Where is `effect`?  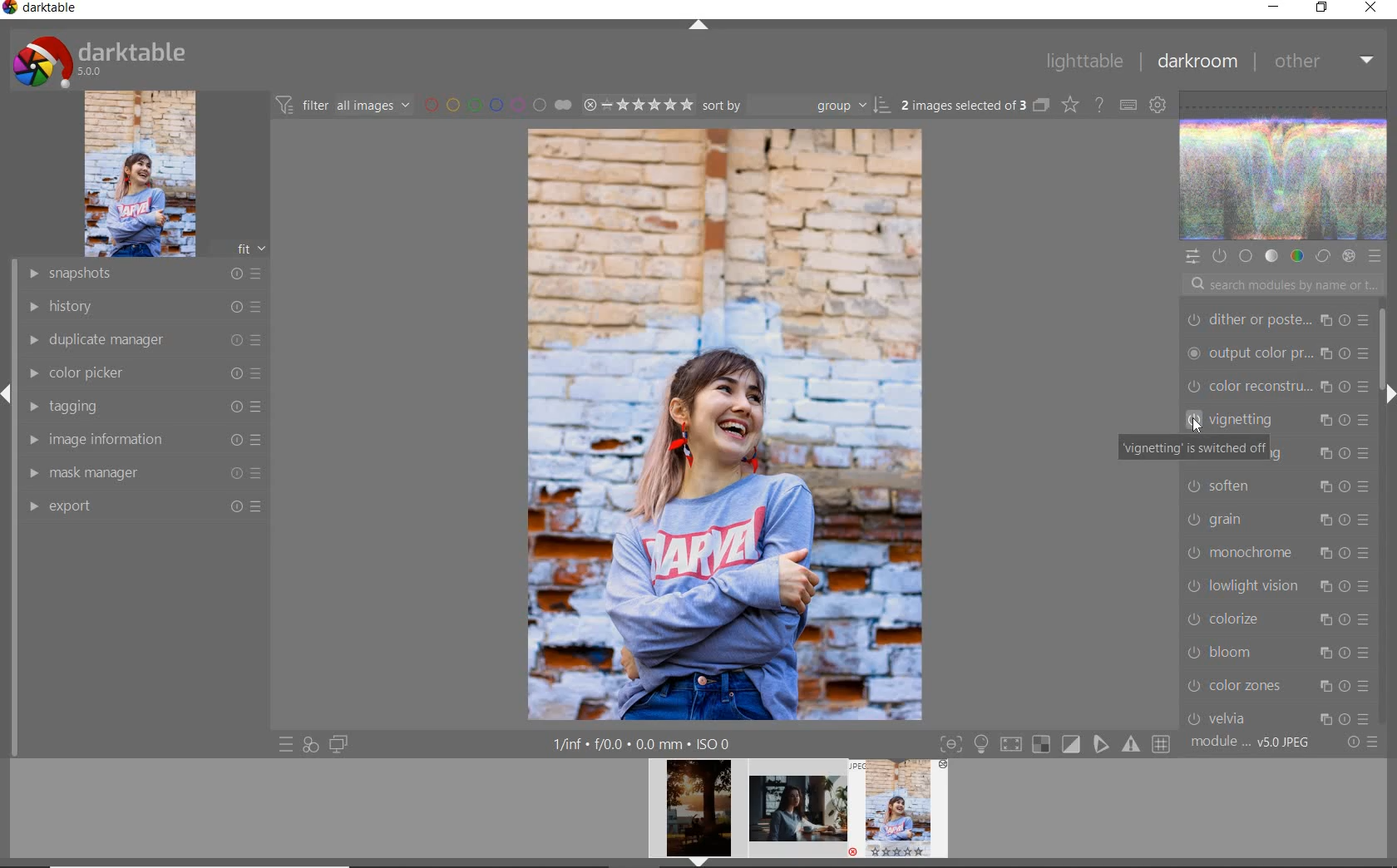 effect is located at coordinates (1348, 256).